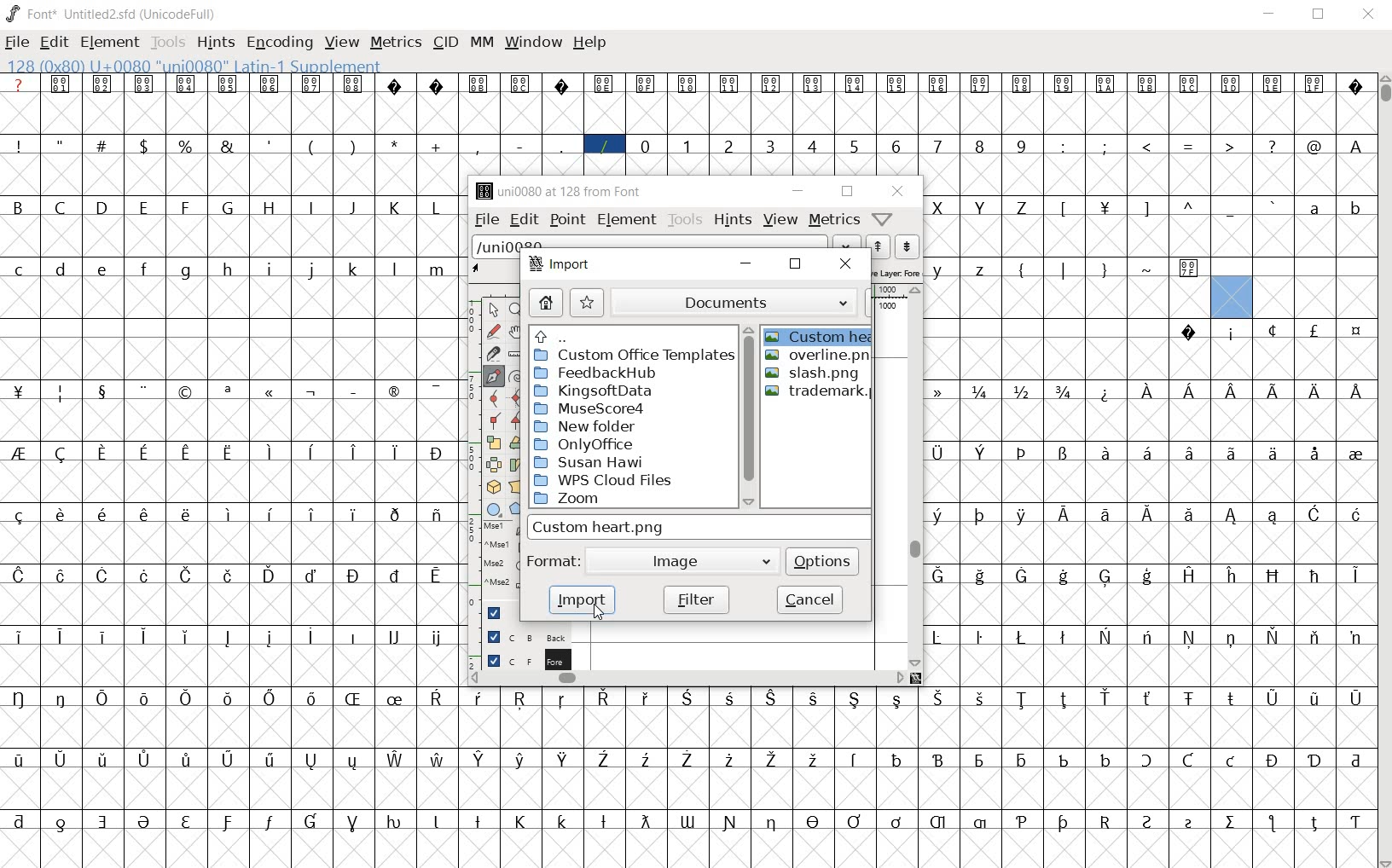 The width and height of the screenshot is (1392, 868). Describe the element at coordinates (1357, 391) in the screenshot. I see `glyph` at that location.